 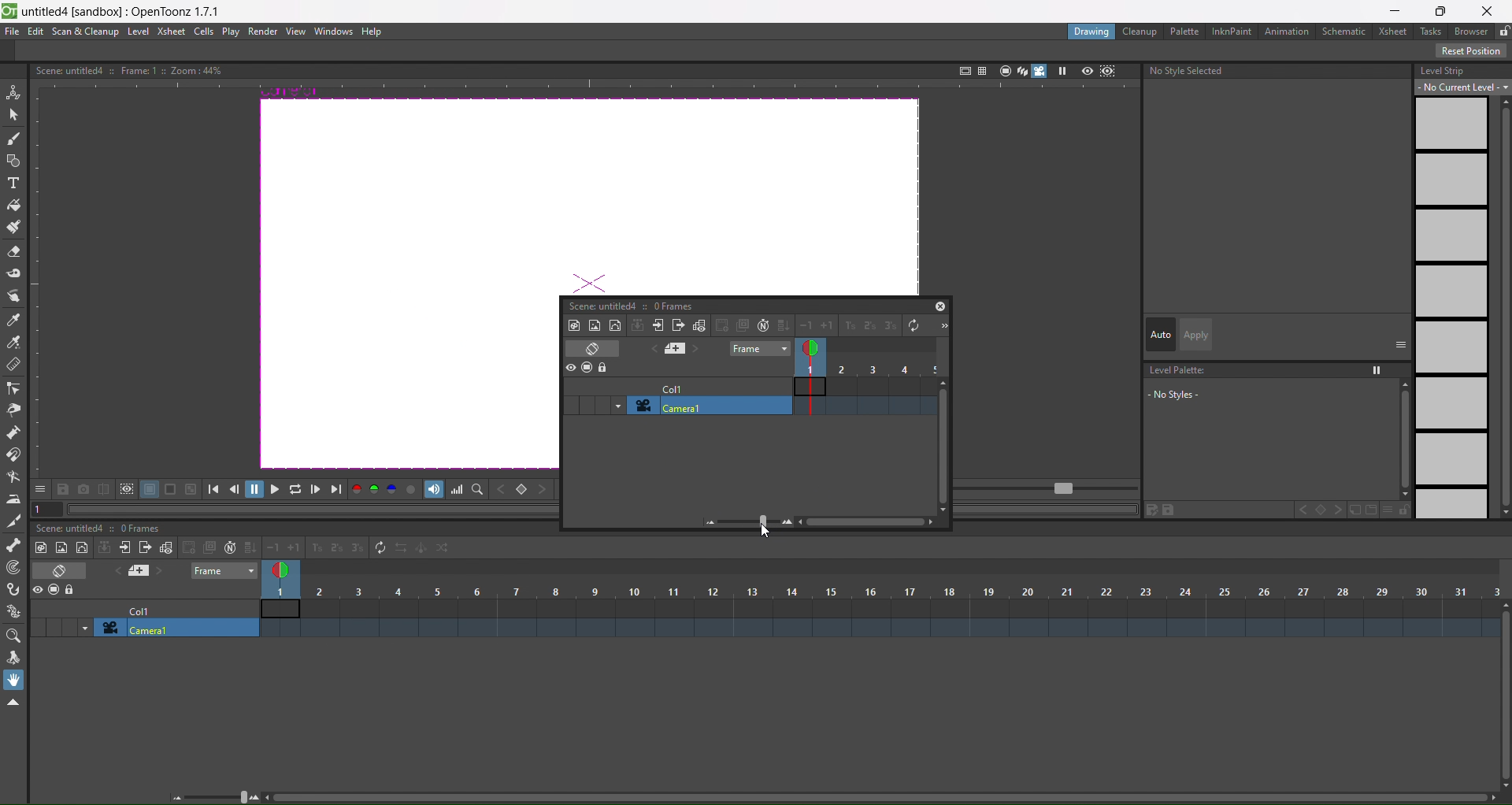 I want to click on logo, so click(x=9, y=9).